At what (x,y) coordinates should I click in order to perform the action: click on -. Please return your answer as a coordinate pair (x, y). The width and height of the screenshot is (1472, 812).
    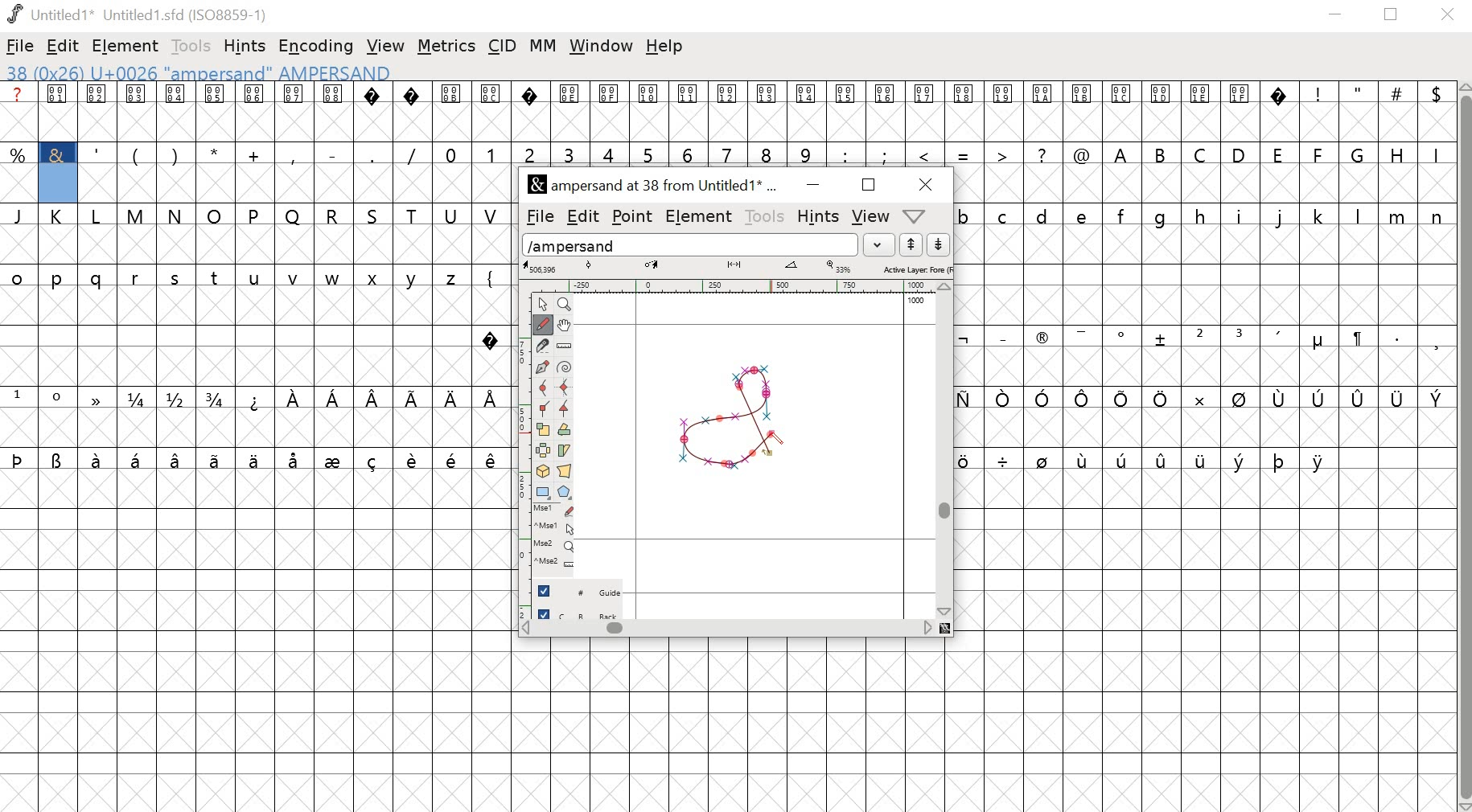
    Looking at the image, I should click on (331, 152).